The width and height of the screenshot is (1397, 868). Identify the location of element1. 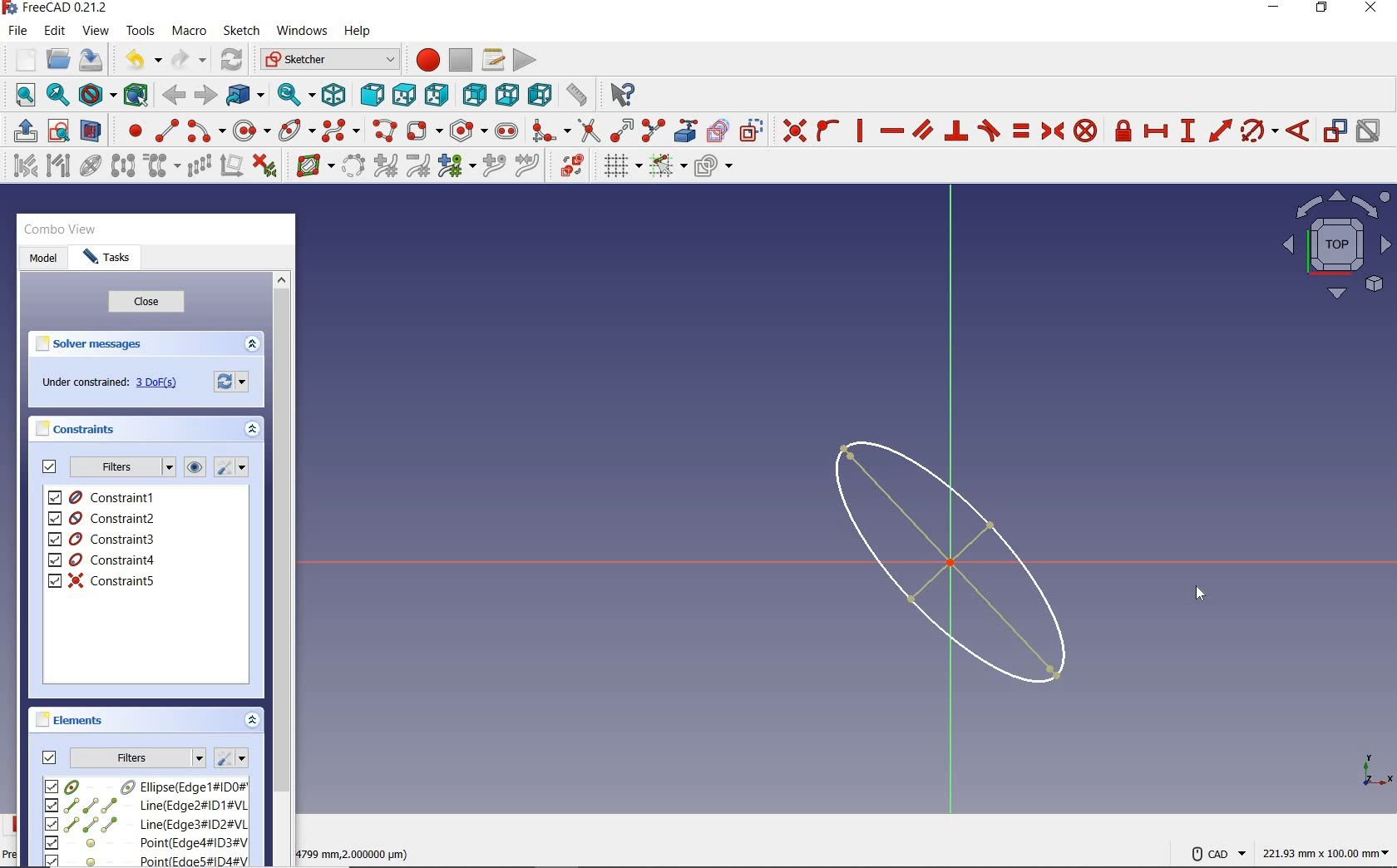
(144, 786).